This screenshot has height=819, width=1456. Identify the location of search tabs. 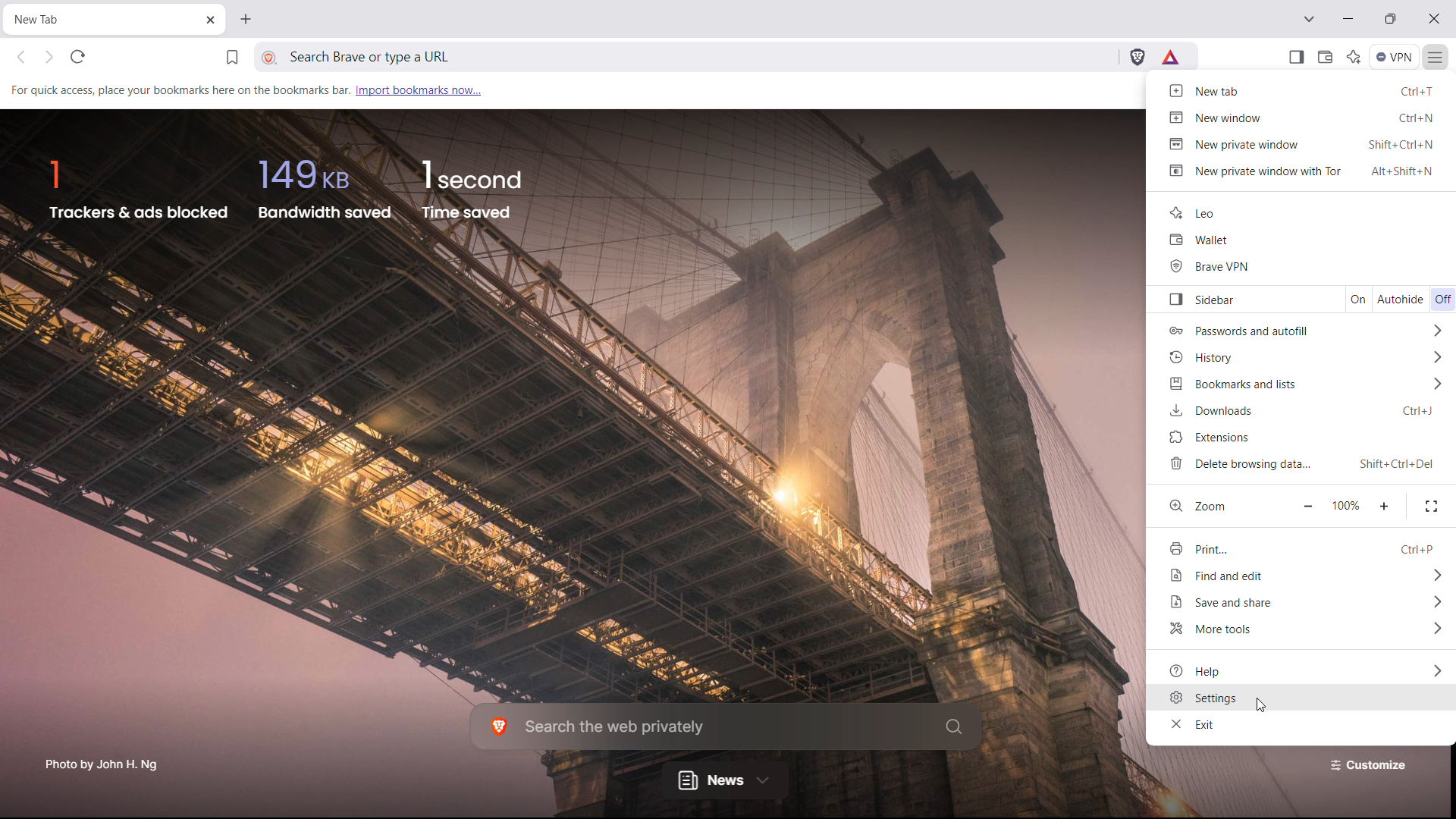
(1310, 19).